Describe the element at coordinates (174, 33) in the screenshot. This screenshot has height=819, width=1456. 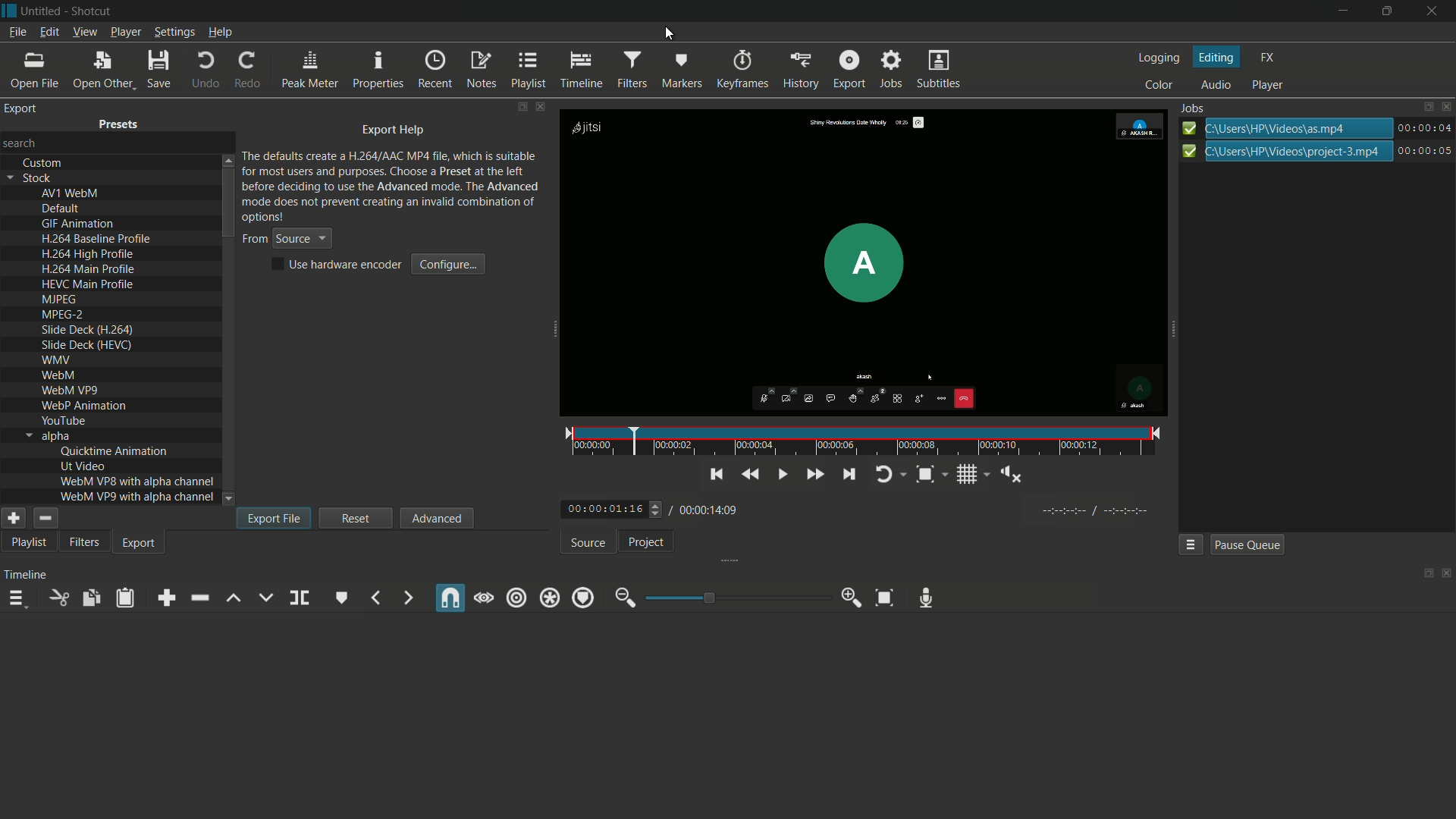
I see `settings menu` at that location.